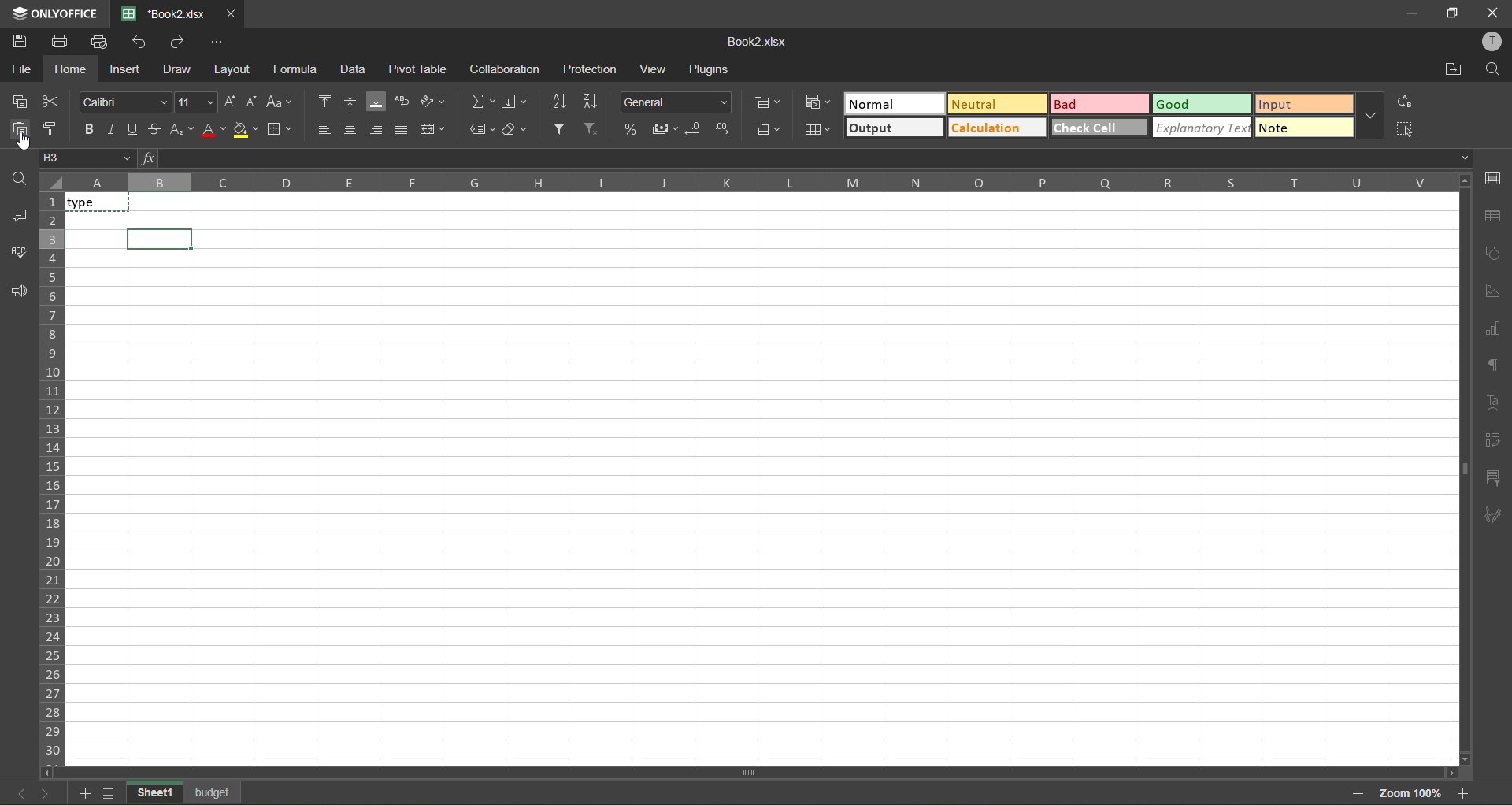  Describe the element at coordinates (676, 102) in the screenshot. I see `number format` at that location.